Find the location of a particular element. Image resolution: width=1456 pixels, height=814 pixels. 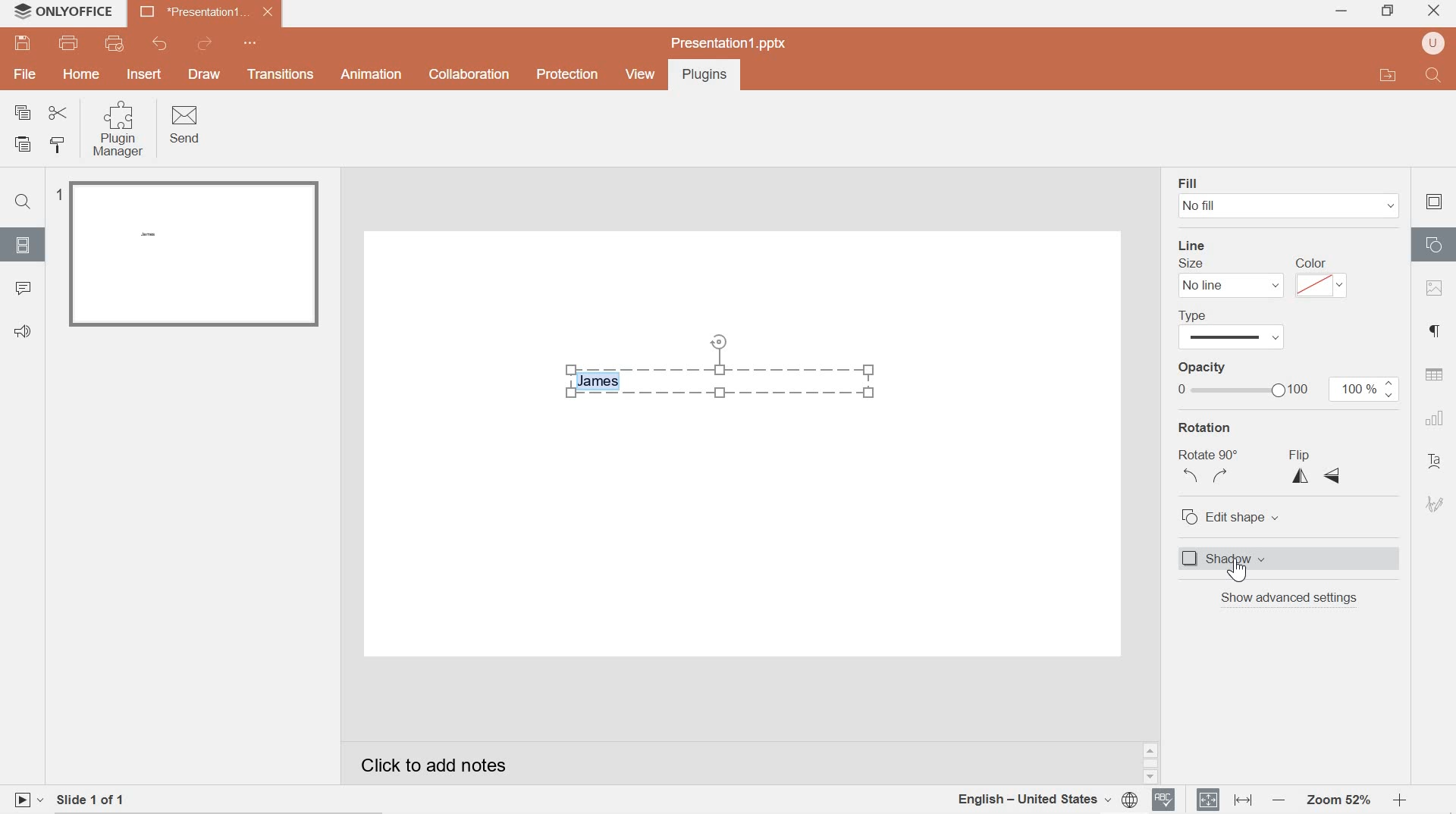

Rotate 90 degrees is located at coordinates (1209, 471).